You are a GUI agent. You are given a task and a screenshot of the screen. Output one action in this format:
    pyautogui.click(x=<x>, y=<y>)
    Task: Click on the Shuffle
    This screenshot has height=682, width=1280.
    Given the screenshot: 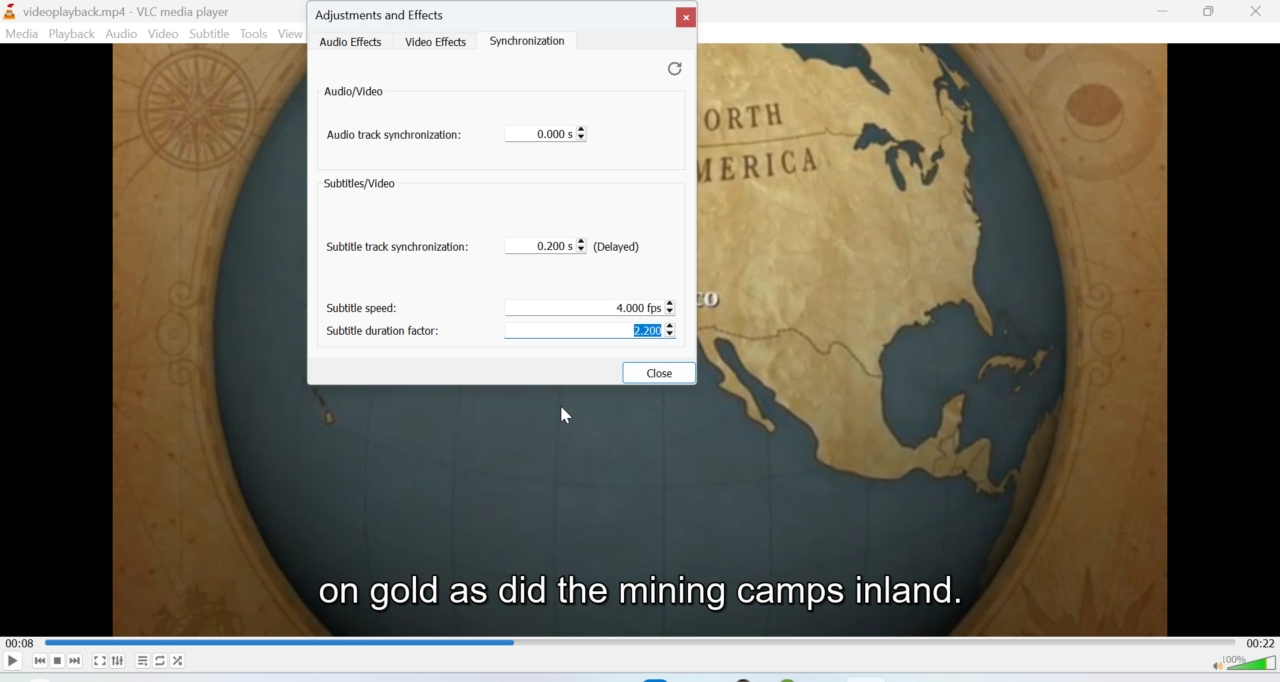 What is the action you would take?
    pyautogui.click(x=179, y=662)
    